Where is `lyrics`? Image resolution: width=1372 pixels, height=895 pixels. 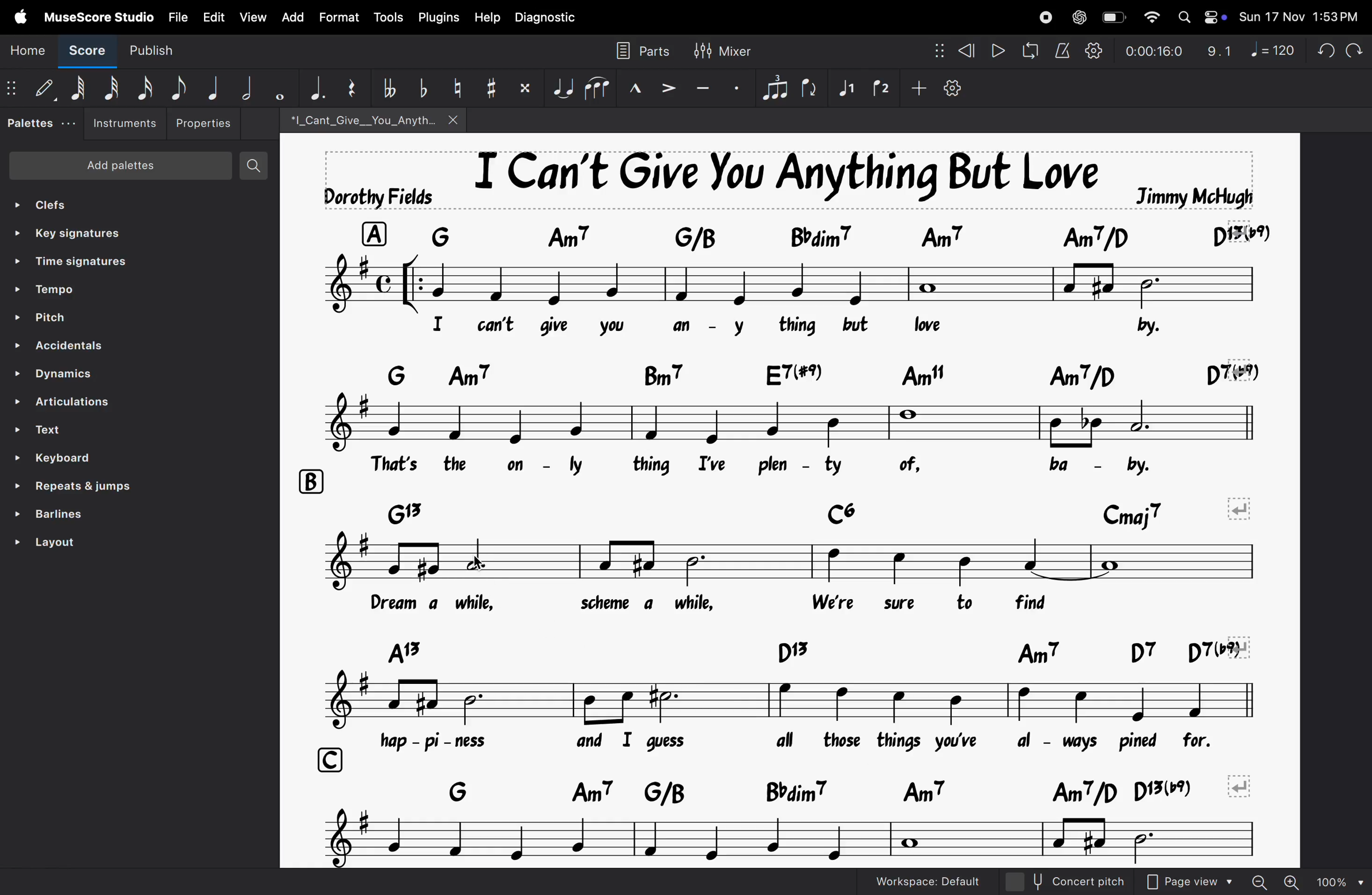
lyrics is located at coordinates (800, 742).